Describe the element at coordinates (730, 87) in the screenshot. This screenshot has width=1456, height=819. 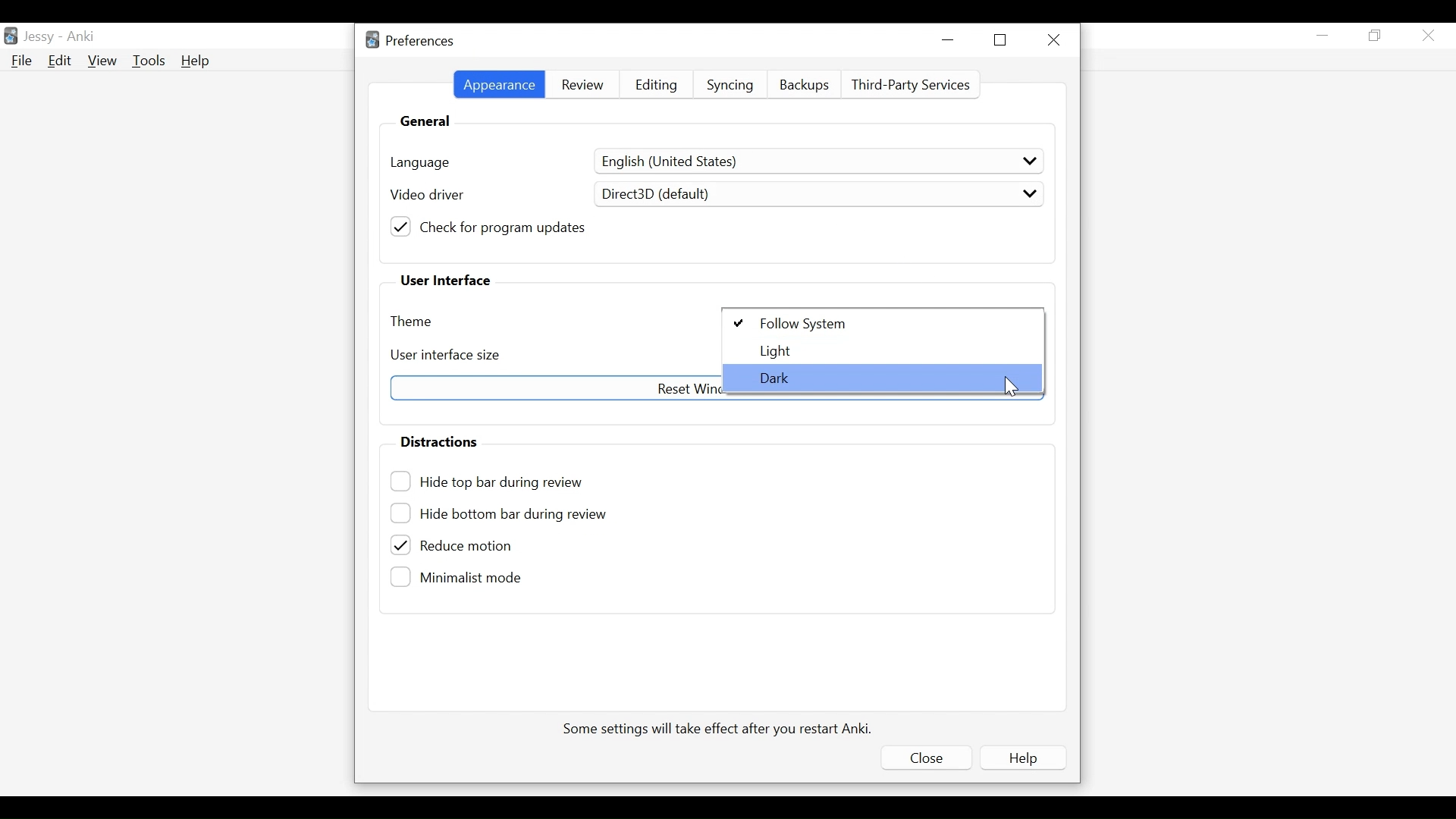
I see `Syncing` at that location.